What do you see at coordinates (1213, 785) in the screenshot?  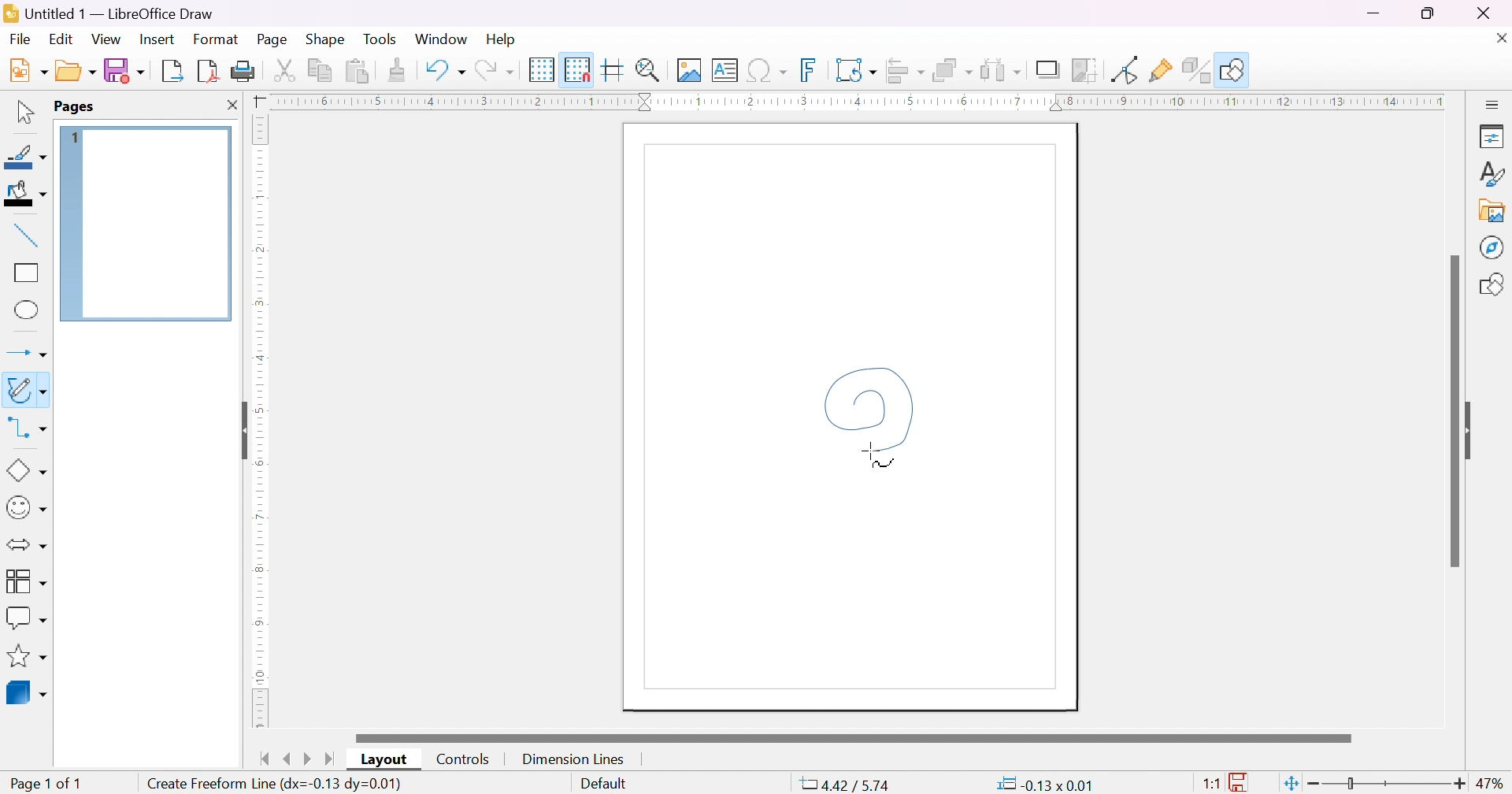 I see `1:1` at bounding box center [1213, 785].